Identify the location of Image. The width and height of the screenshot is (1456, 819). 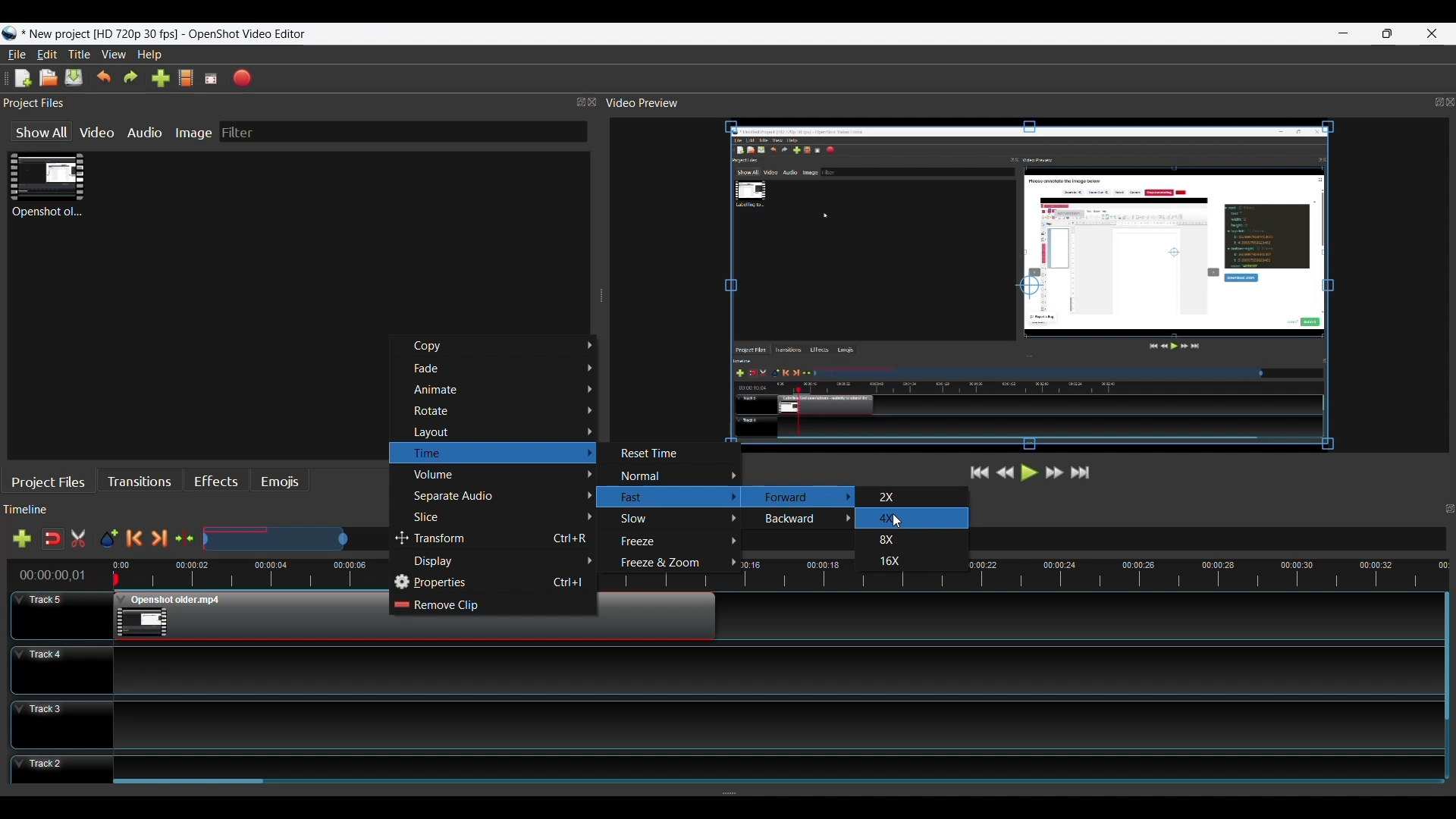
(193, 133).